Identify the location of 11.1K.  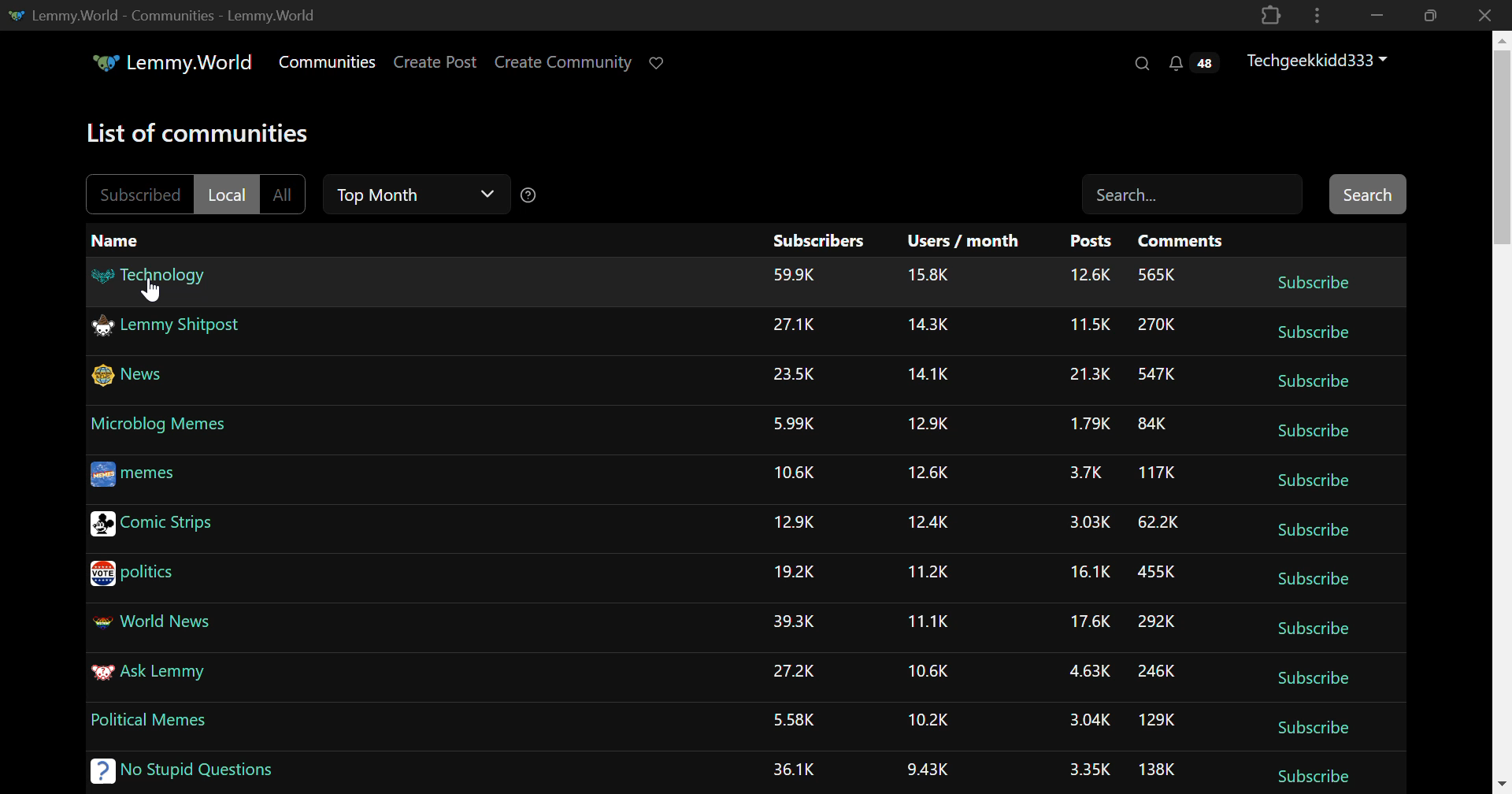
(928, 624).